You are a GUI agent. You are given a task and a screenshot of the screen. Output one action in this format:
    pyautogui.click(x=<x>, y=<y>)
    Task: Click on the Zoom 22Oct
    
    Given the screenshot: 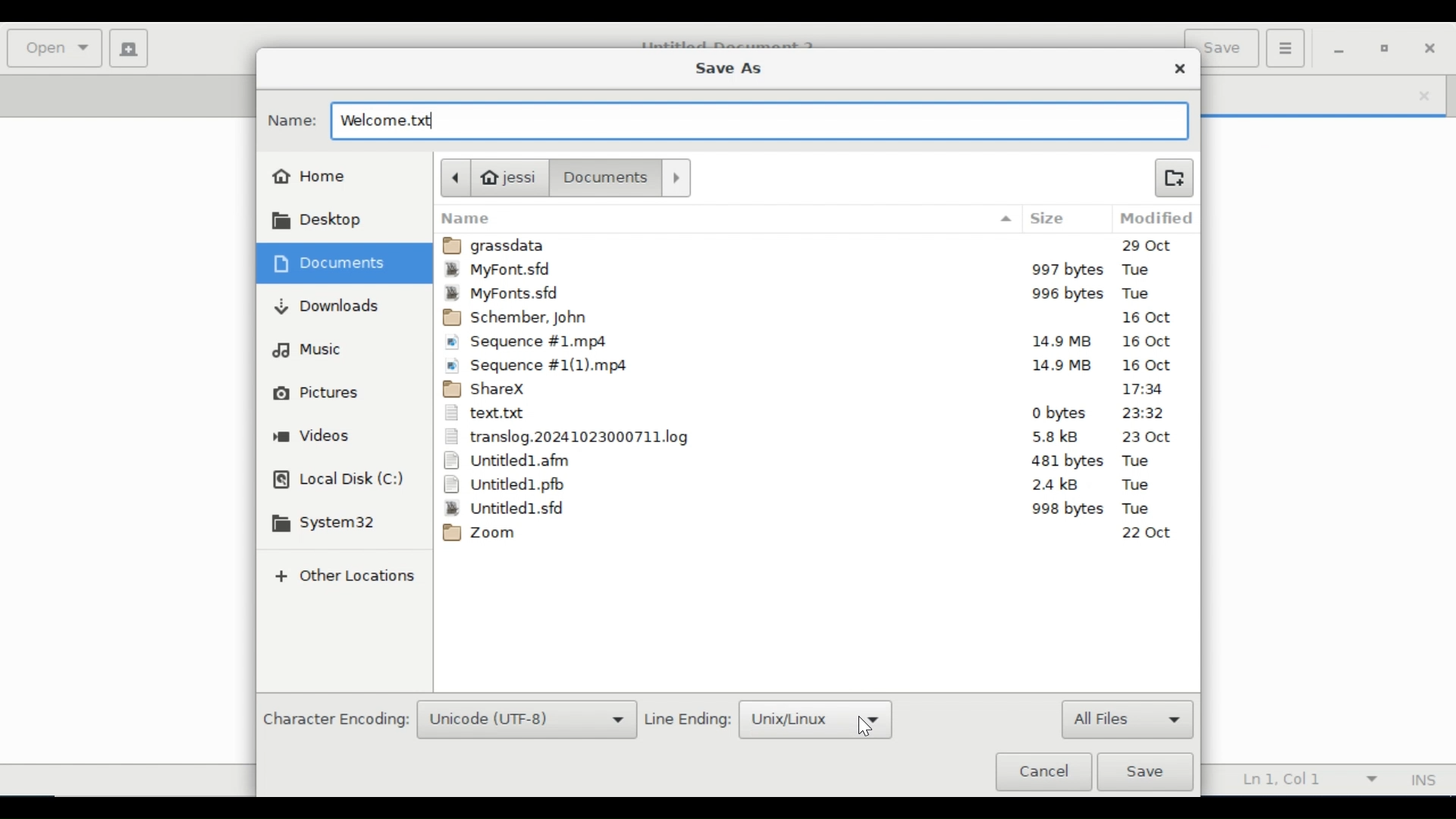 What is the action you would take?
    pyautogui.click(x=810, y=533)
    